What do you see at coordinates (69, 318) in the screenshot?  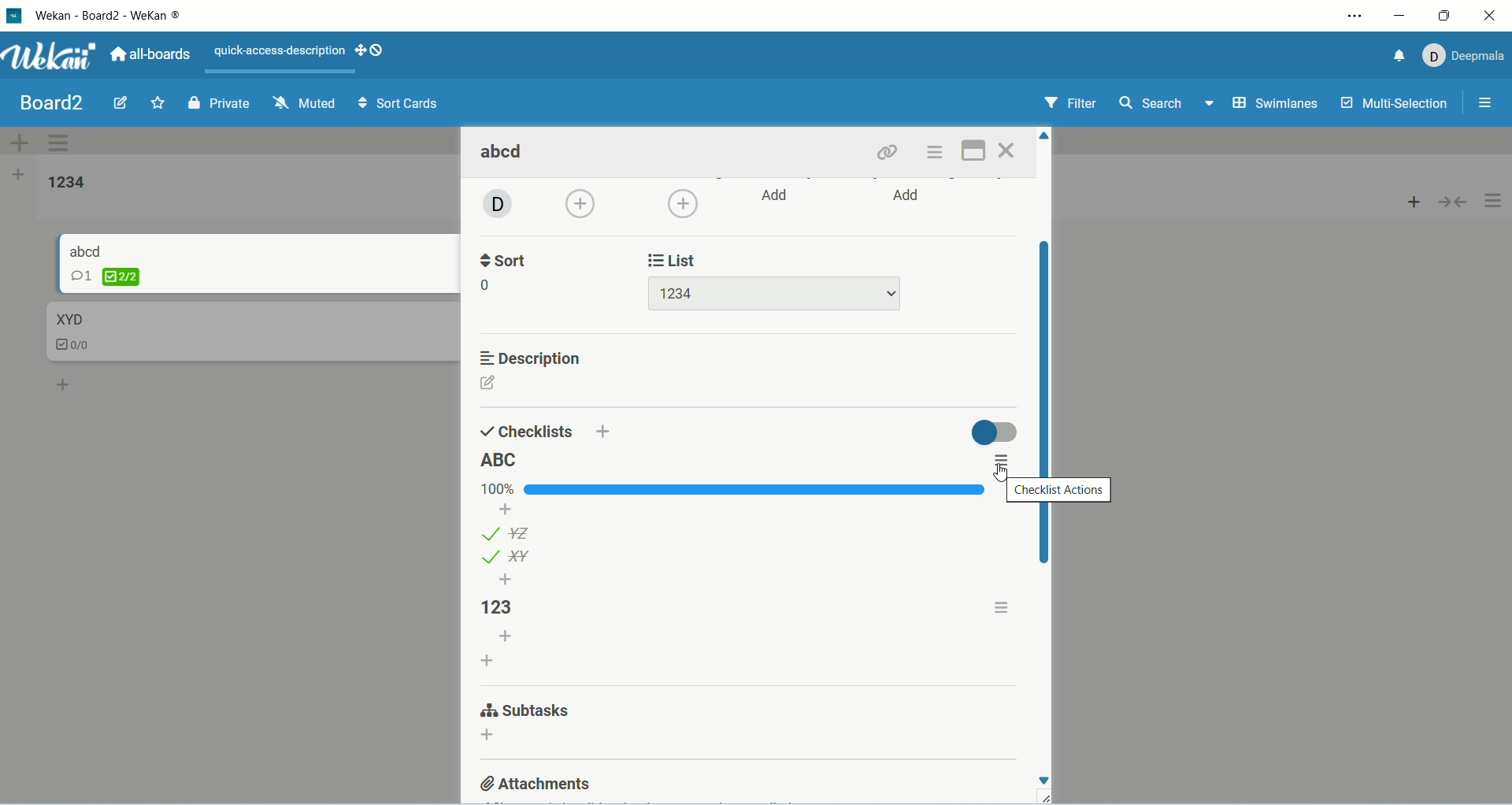 I see `card title` at bounding box center [69, 318].